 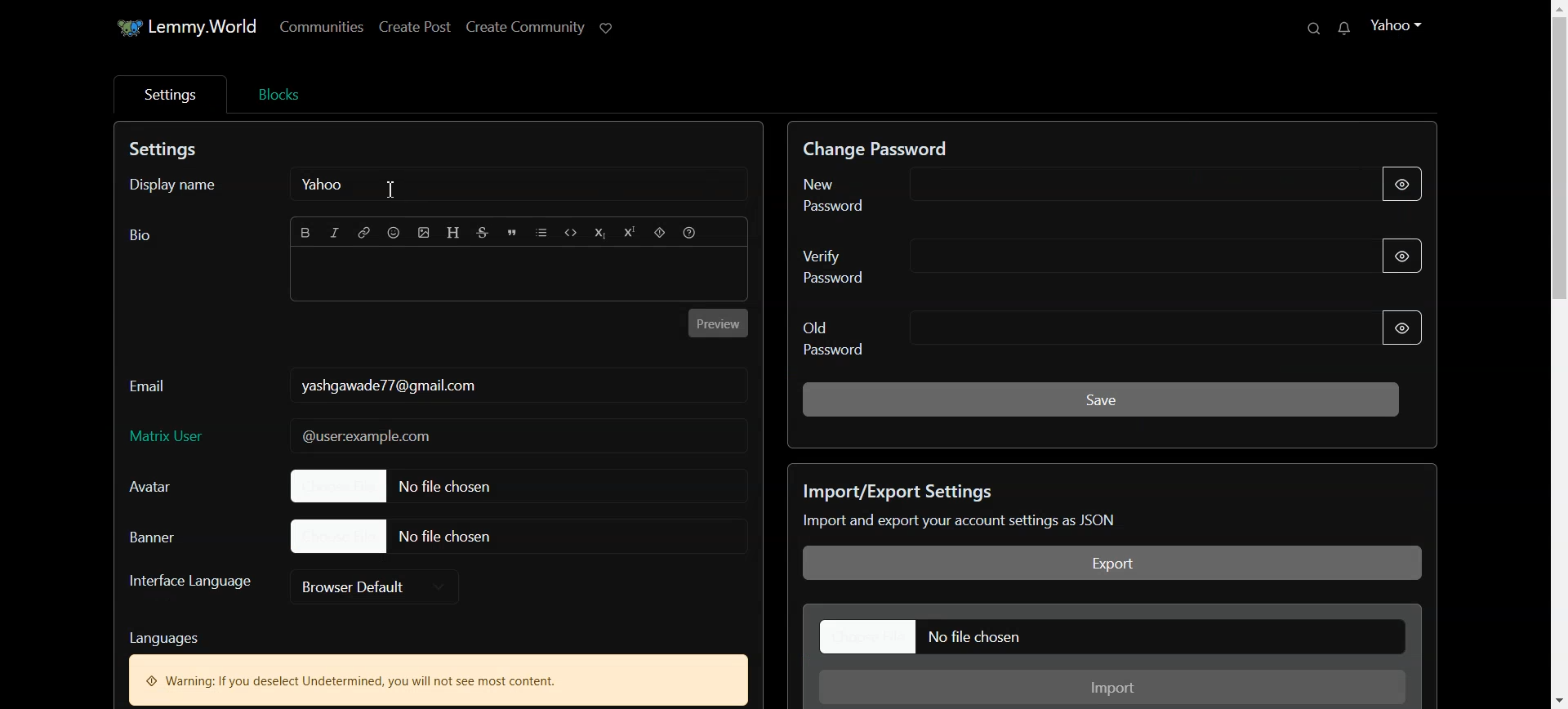 I want to click on Preview, so click(x=719, y=323).